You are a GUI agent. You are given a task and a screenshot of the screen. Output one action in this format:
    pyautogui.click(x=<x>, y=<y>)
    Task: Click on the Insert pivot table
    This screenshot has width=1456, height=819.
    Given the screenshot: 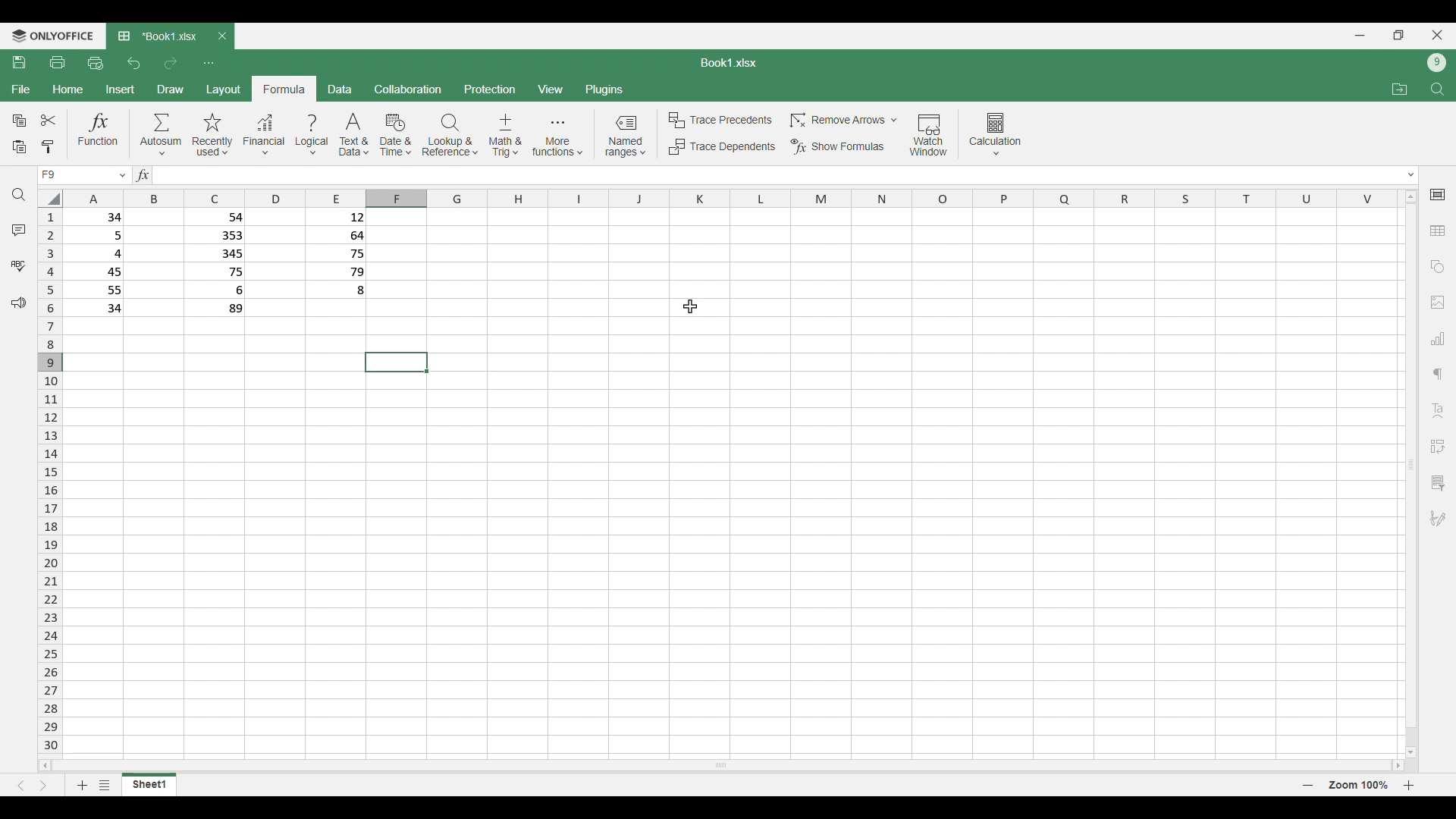 What is the action you would take?
    pyautogui.click(x=1437, y=447)
    